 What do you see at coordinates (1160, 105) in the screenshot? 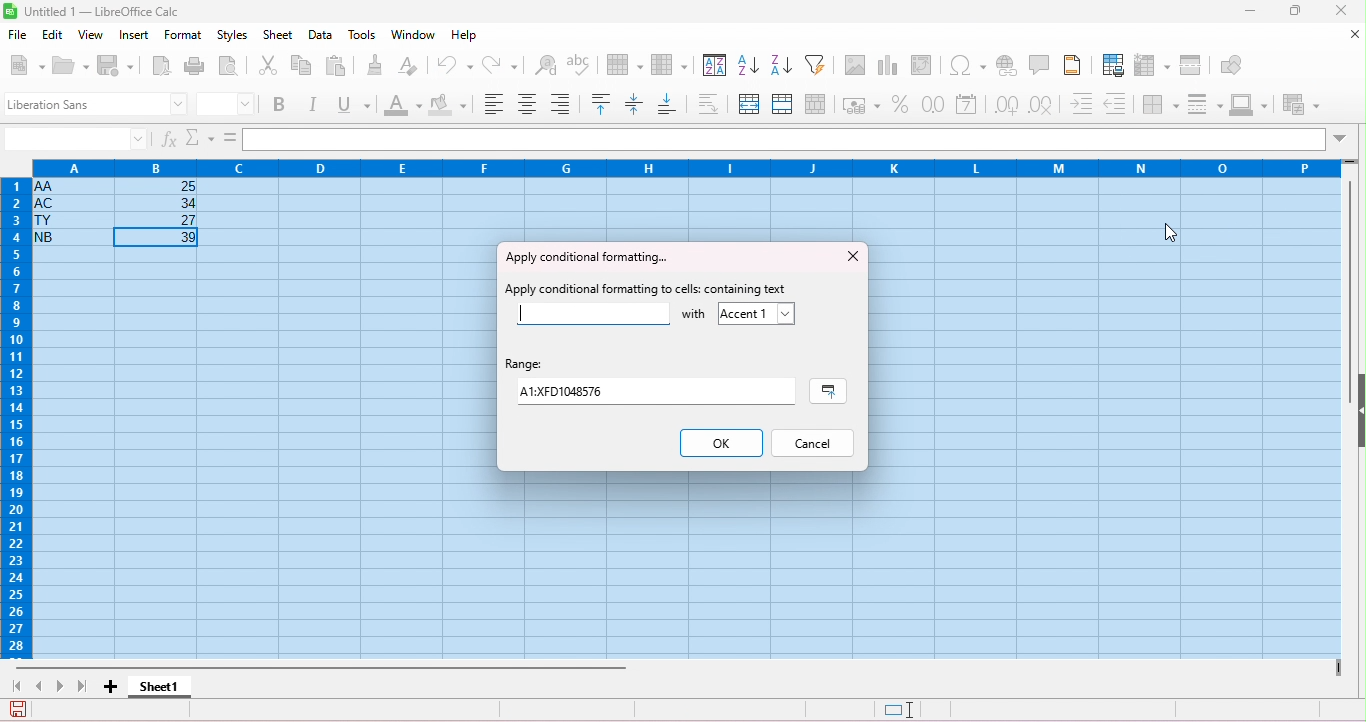
I see `border` at bounding box center [1160, 105].